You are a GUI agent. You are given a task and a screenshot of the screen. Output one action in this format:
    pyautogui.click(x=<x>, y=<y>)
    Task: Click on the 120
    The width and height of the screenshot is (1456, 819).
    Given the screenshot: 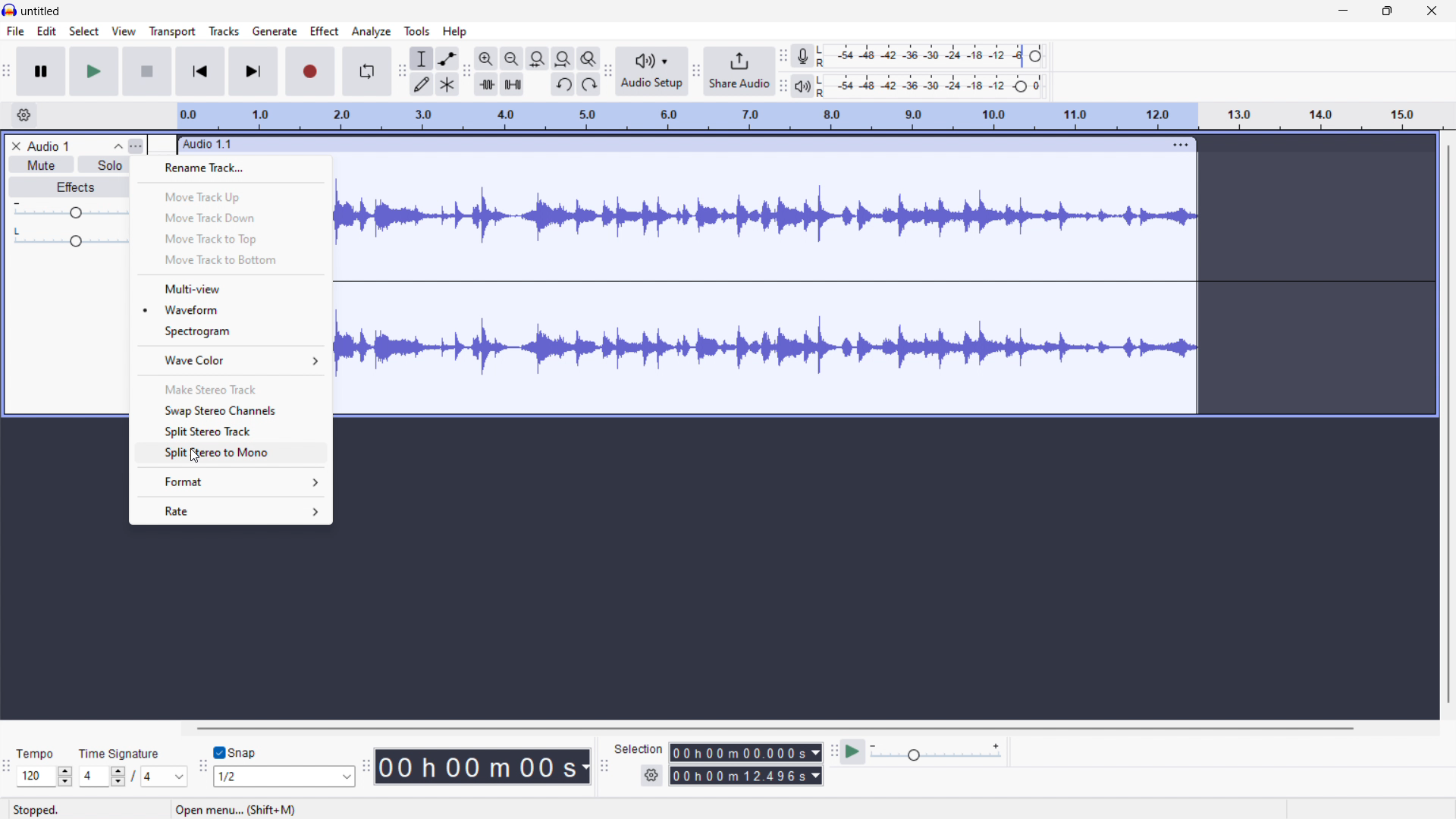 What is the action you would take?
    pyautogui.click(x=34, y=777)
    